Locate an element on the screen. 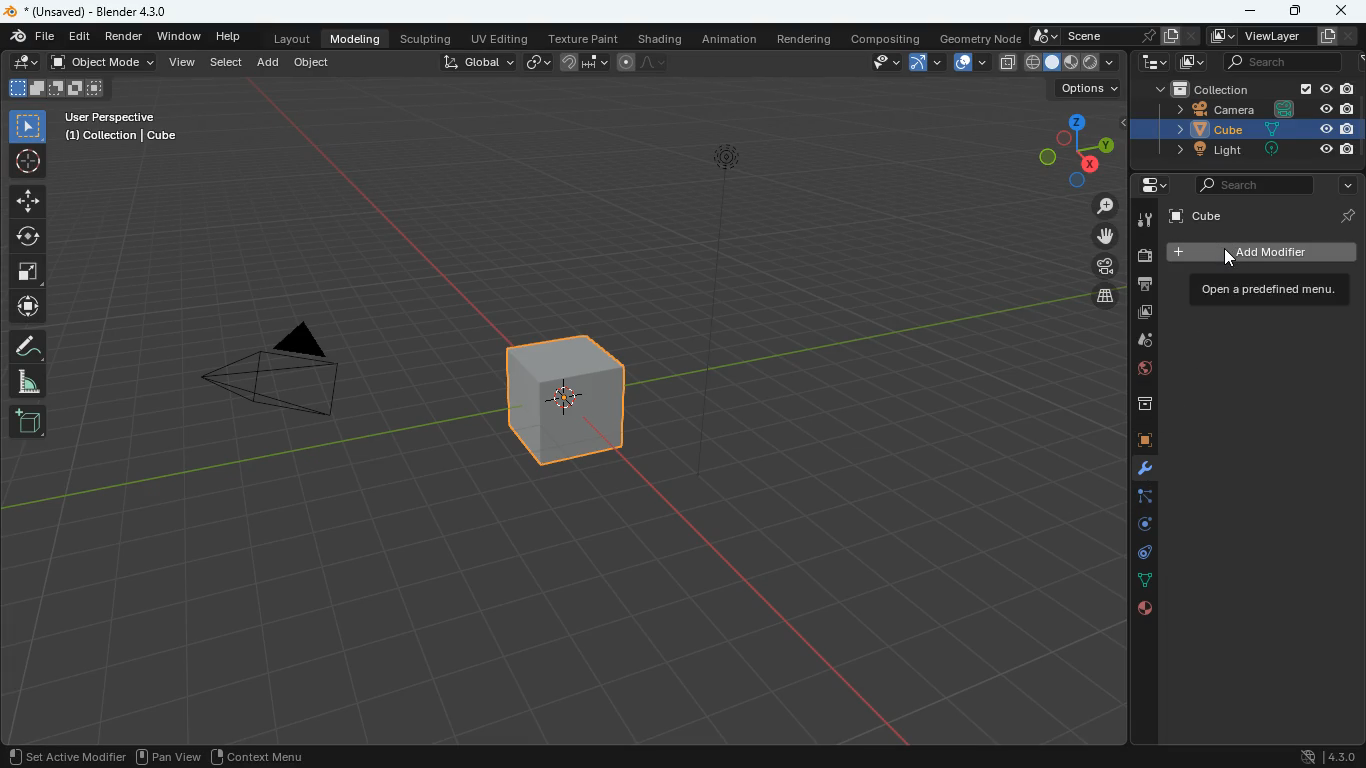 The height and width of the screenshot is (768, 1366).  is located at coordinates (69, 755).